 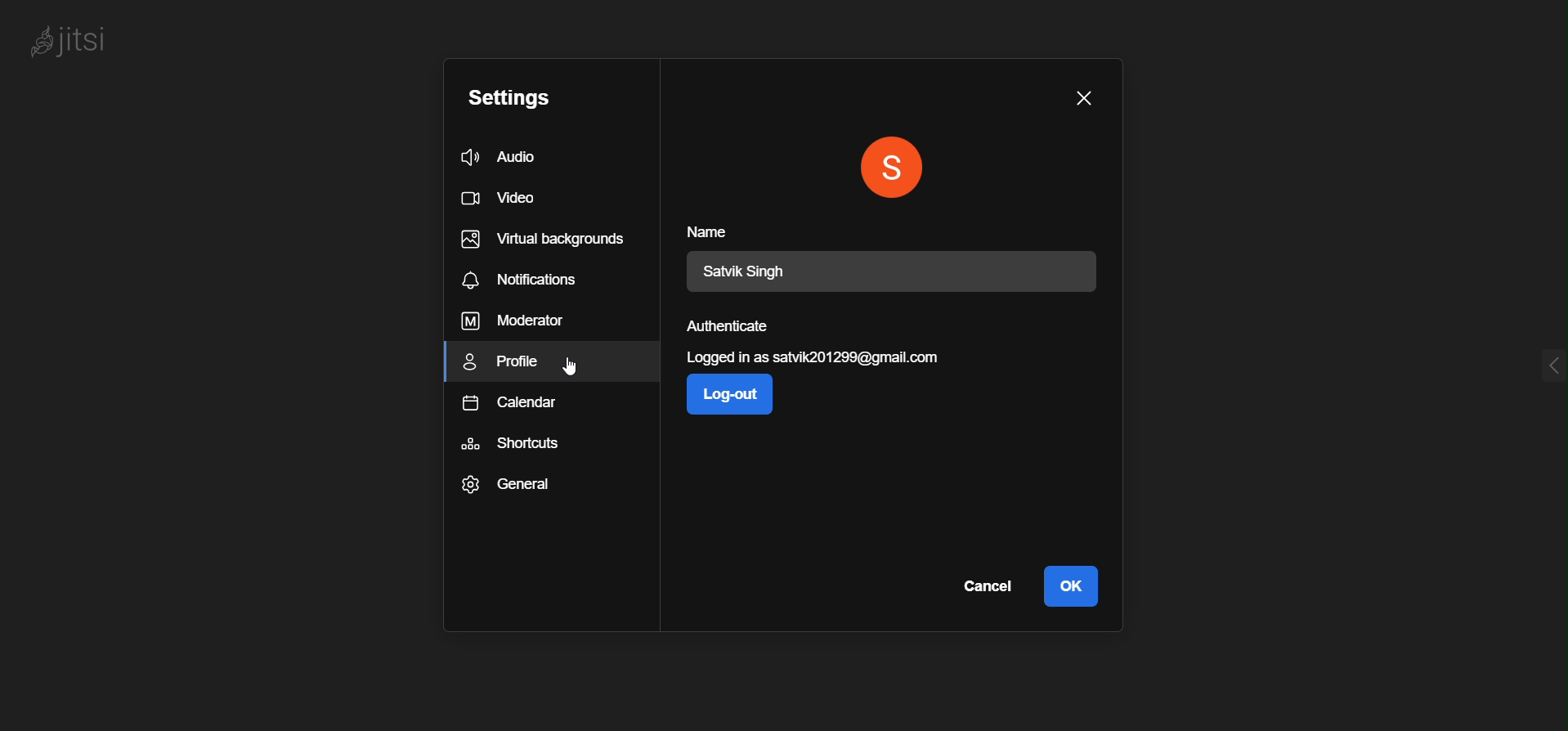 I want to click on pair device, so click(x=746, y=470).